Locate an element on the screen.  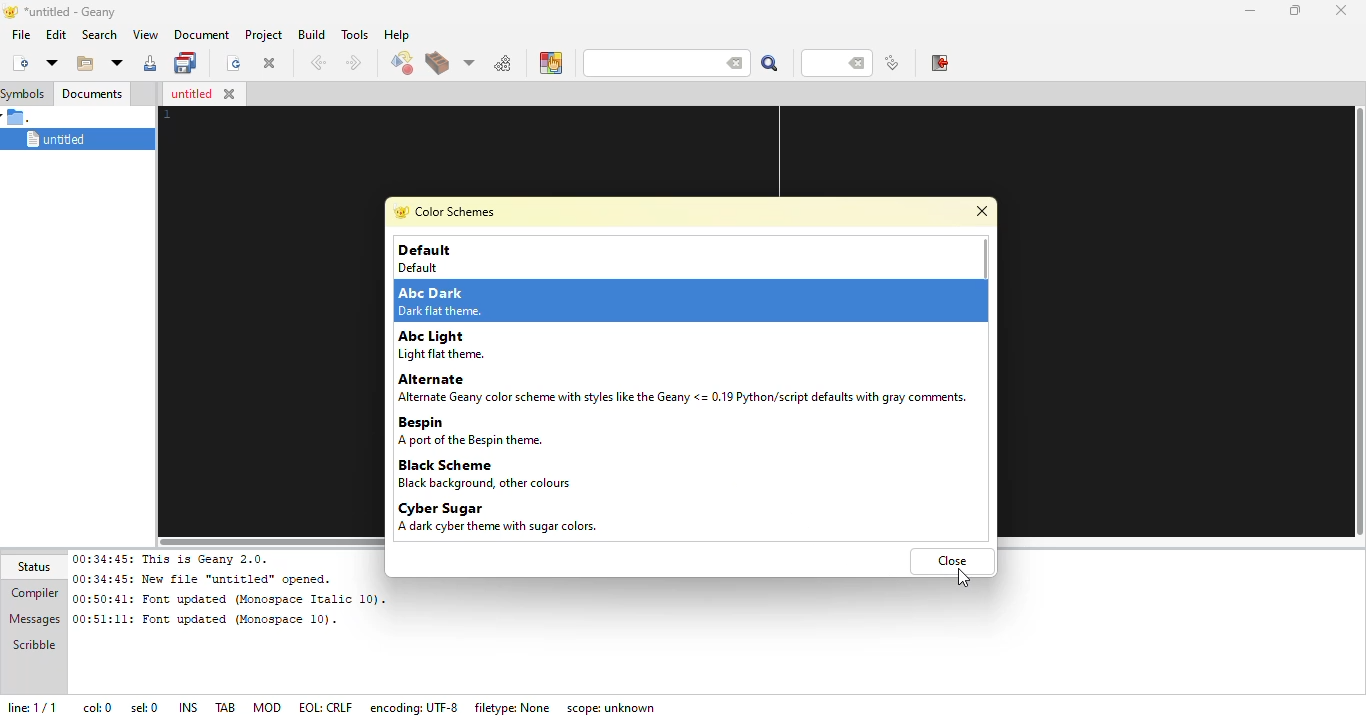
back is located at coordinates (317, 63).